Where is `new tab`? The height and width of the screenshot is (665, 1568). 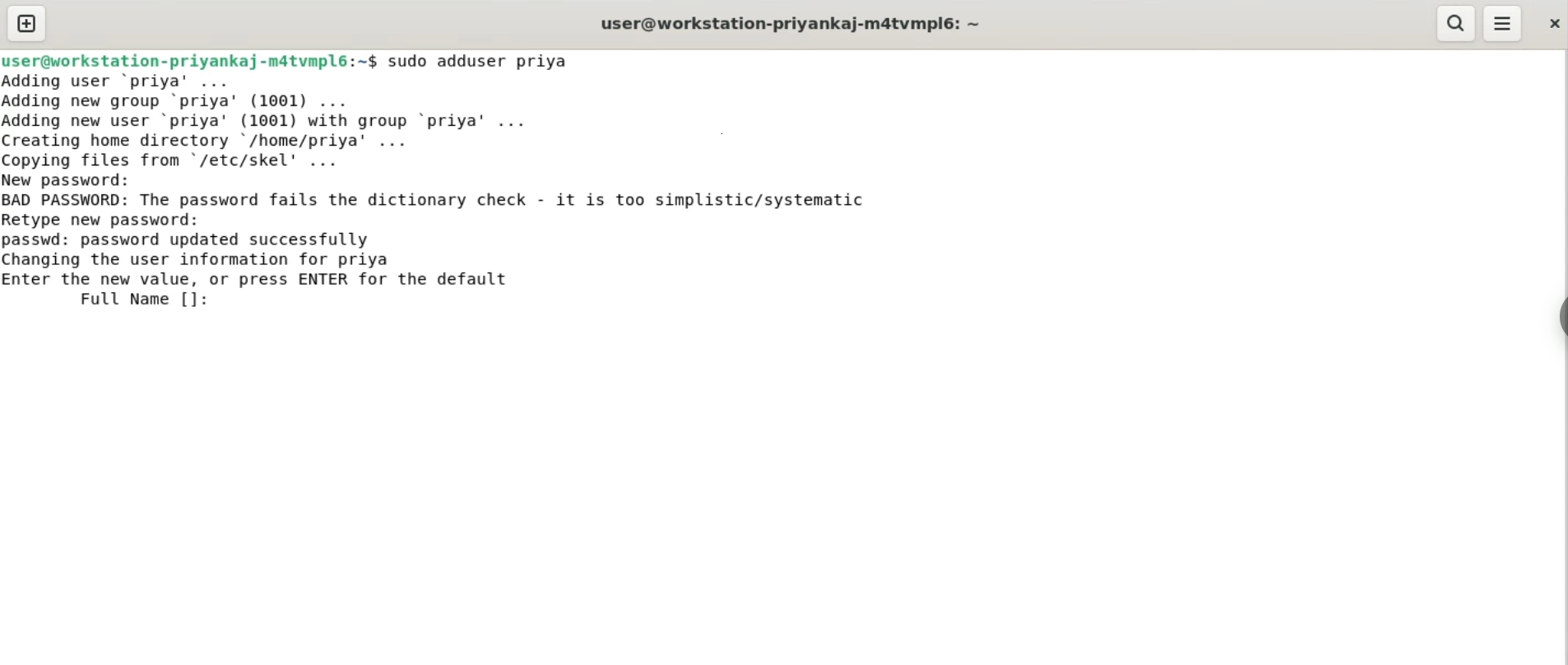 new tab is located at coordinates (27, 23).